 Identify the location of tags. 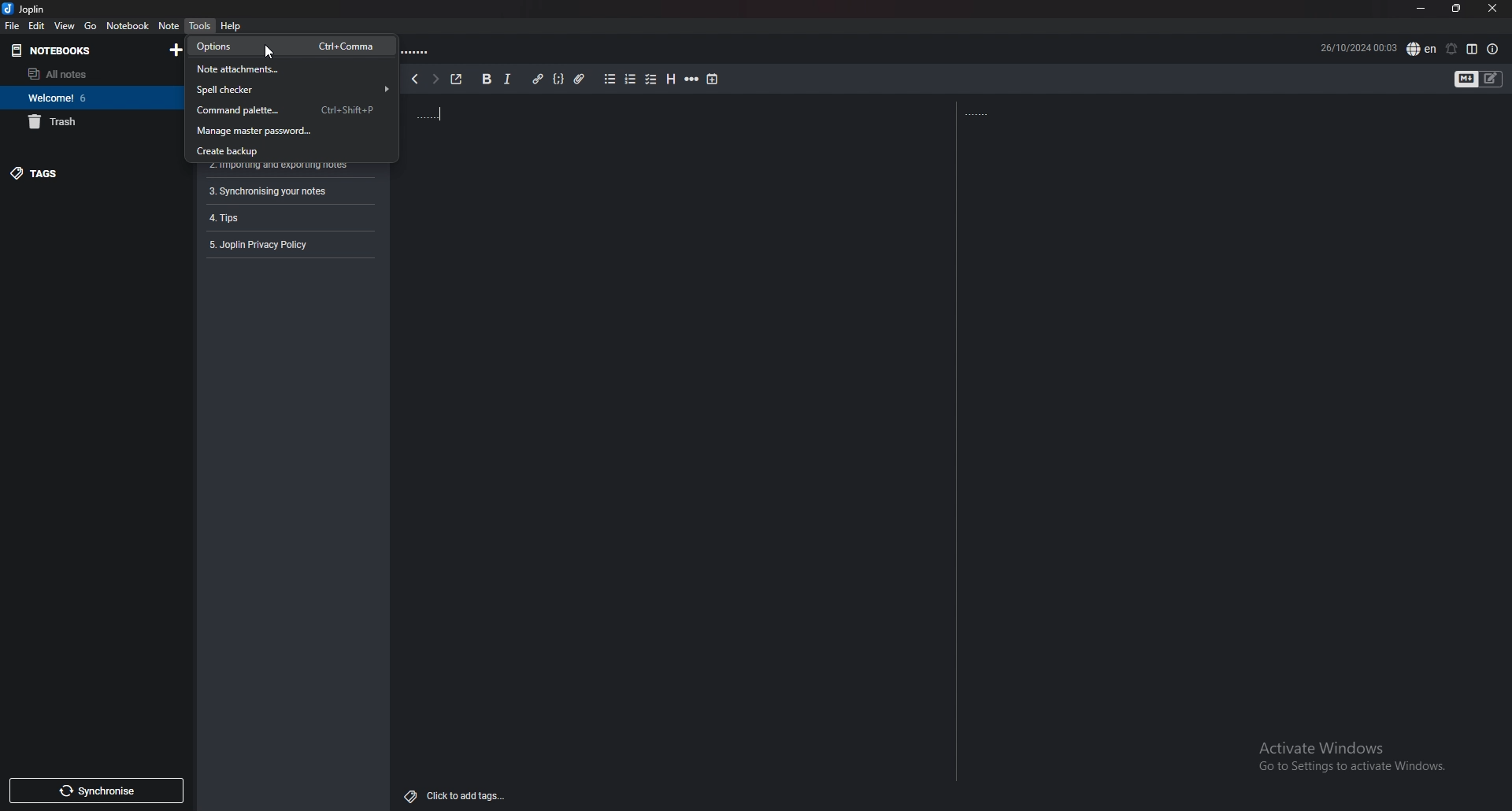
(88, 175).